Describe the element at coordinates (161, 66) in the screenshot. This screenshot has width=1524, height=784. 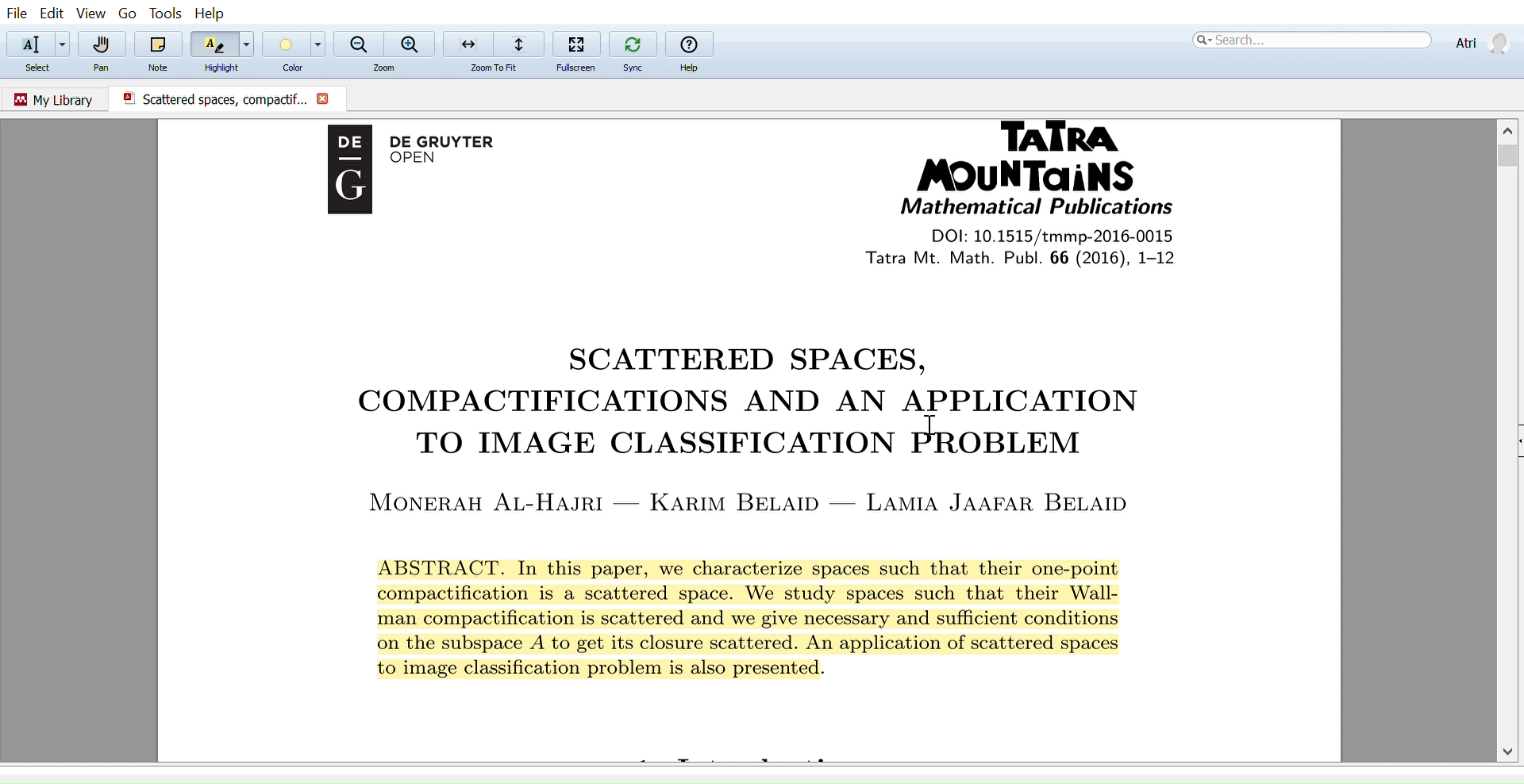
I see `Note` at that location.